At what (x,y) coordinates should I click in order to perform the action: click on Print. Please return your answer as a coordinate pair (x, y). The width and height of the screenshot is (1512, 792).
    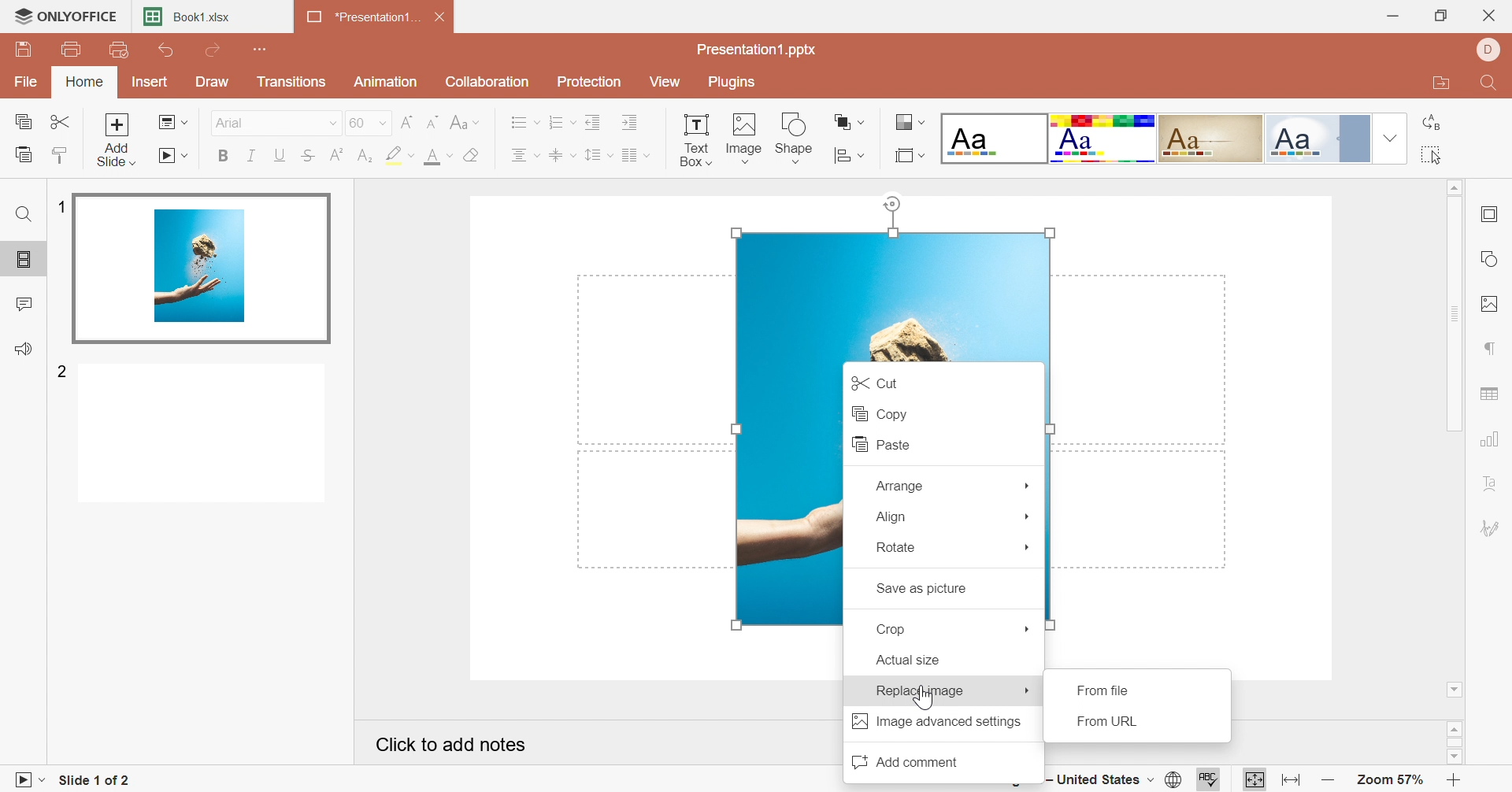
    Looking at the image, I should click on (72, 49).